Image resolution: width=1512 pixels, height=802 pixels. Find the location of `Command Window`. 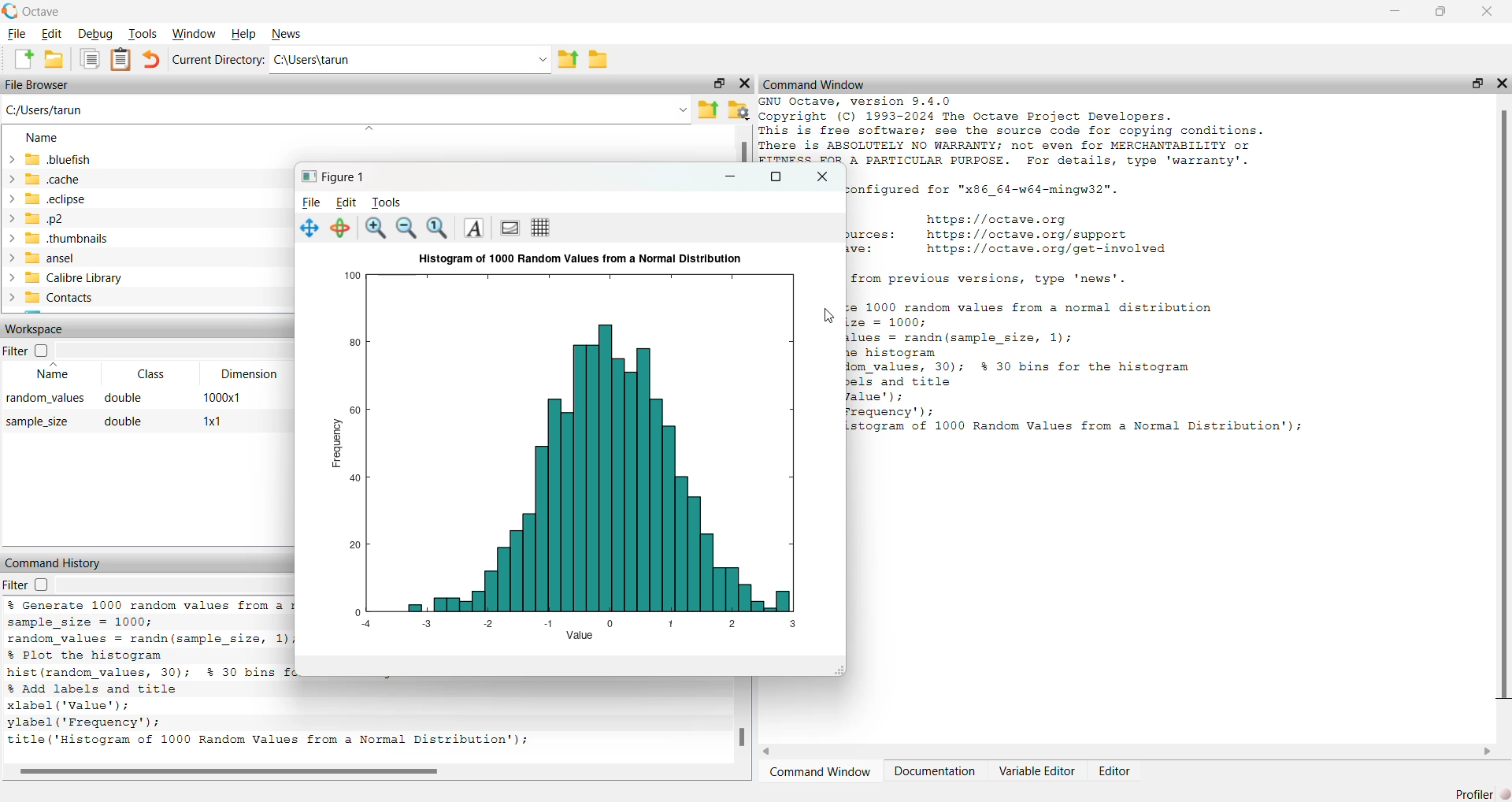

Command Window is located at coordinates (821, 773).